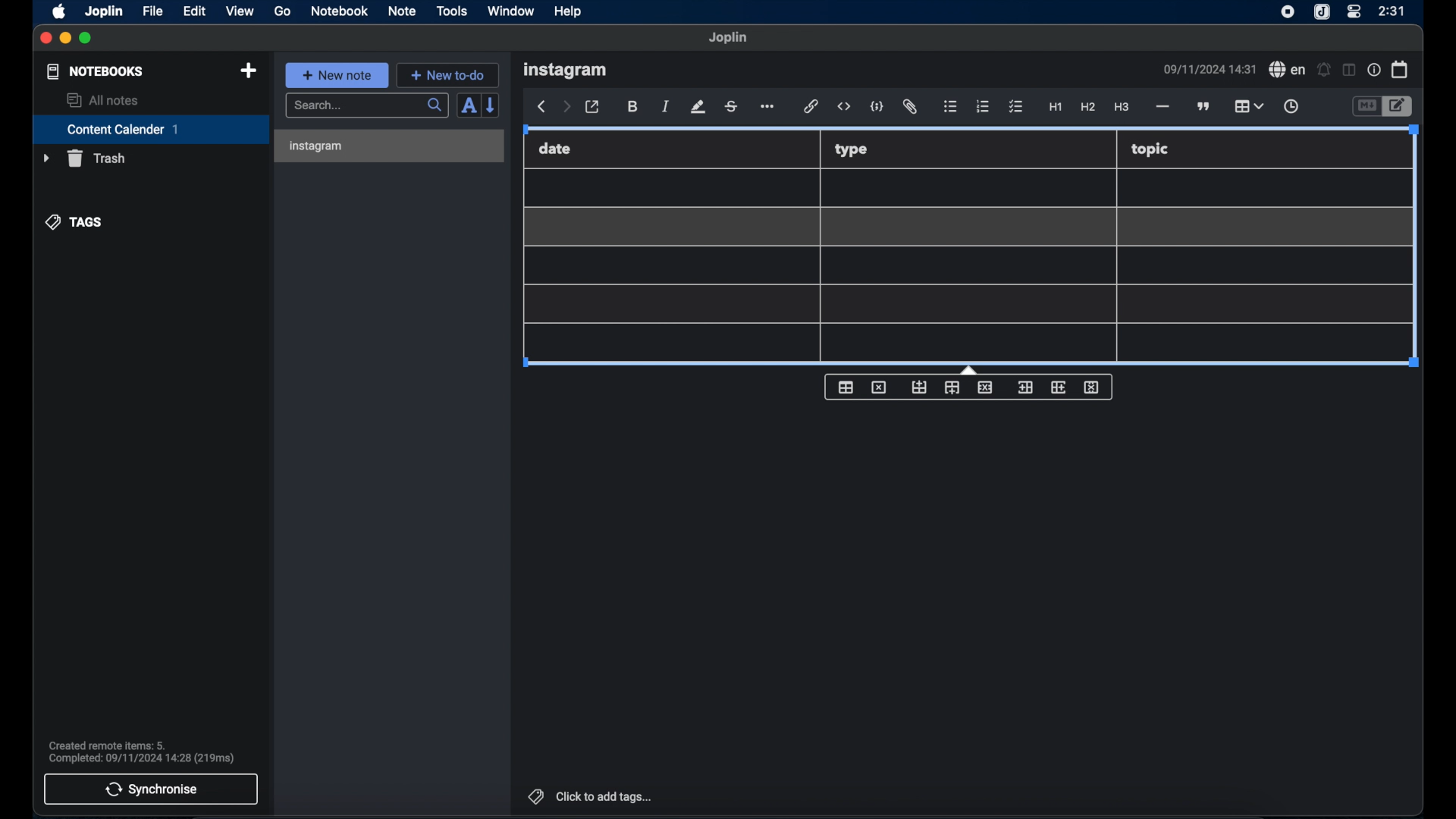 The height and width of the screenshot is (819, 1456). I want to click on toggle editor, so click(1401, 105).